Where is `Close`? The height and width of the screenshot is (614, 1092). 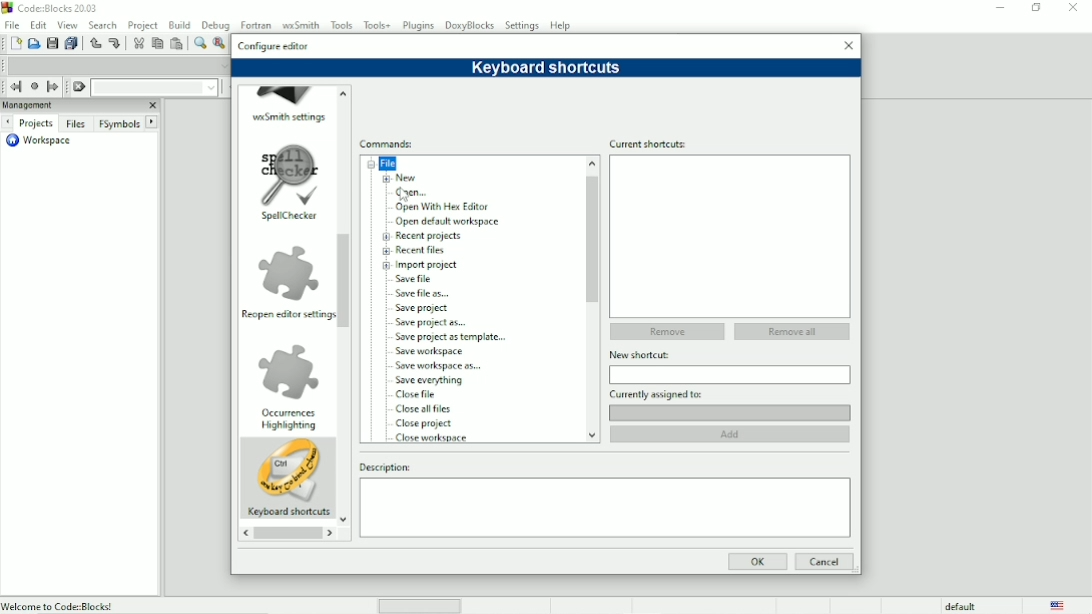 Close is located at coordinates (848, 44).